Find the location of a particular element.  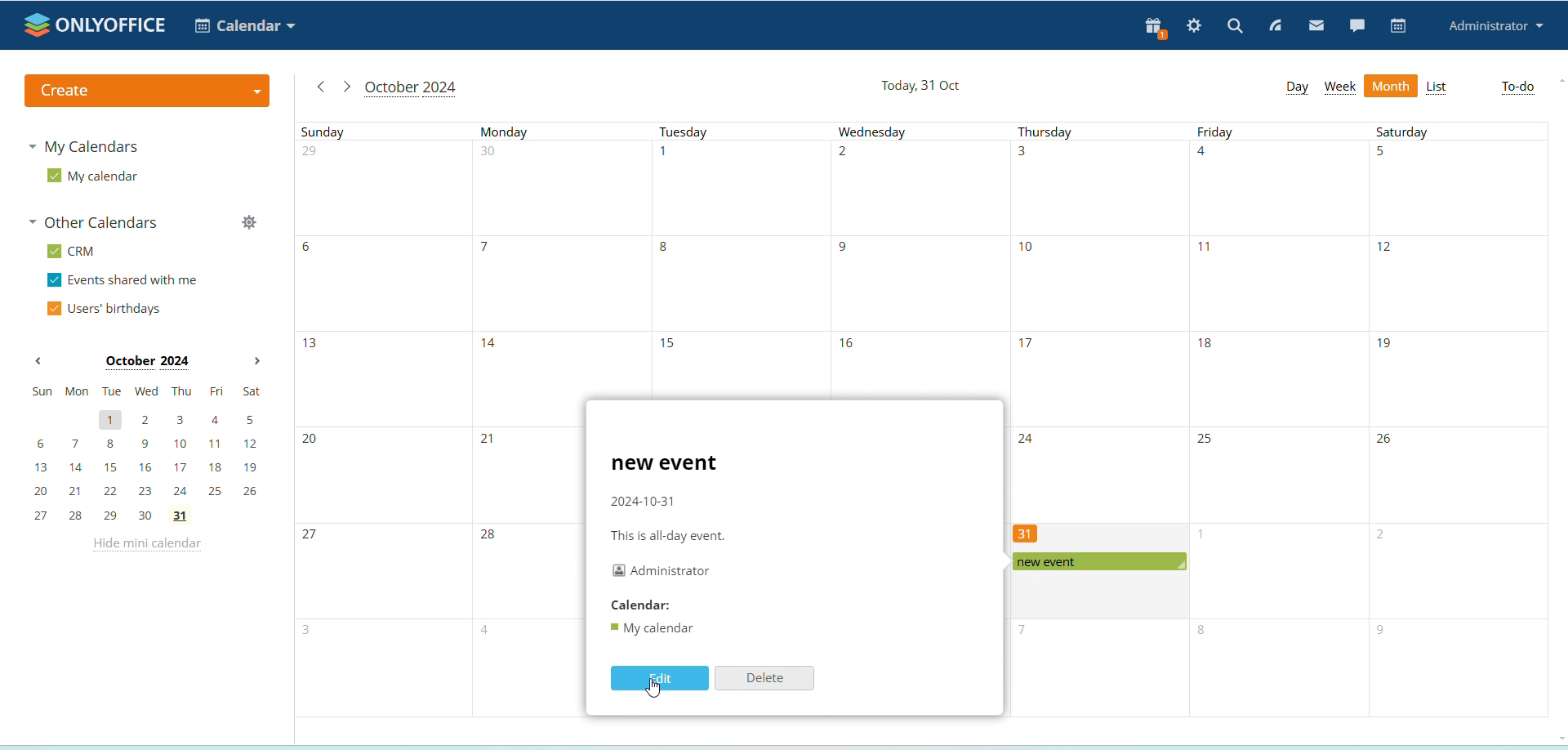

month on display is located at coordinates (147, 363).